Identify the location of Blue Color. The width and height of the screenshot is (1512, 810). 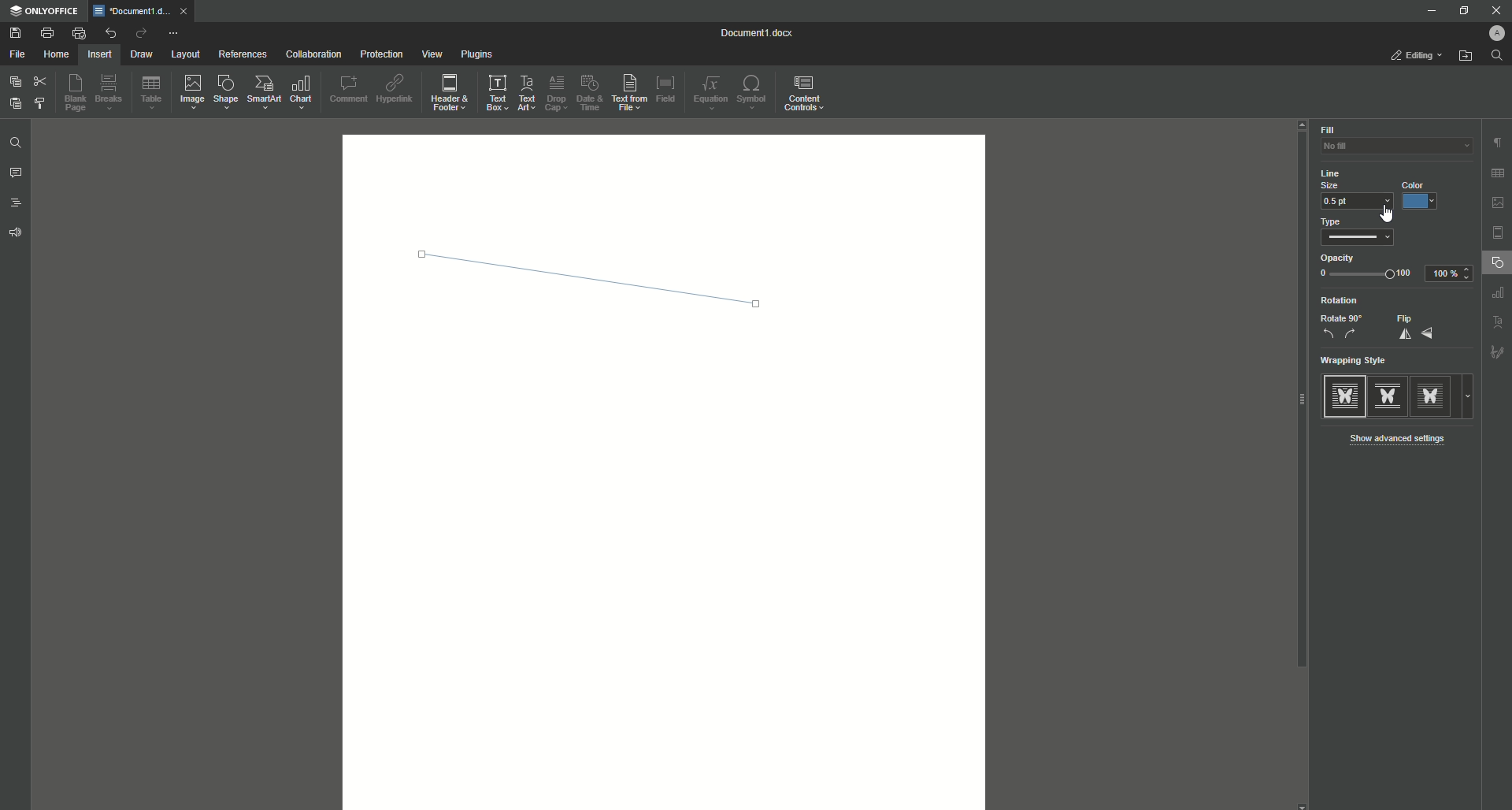
(1423, 196).